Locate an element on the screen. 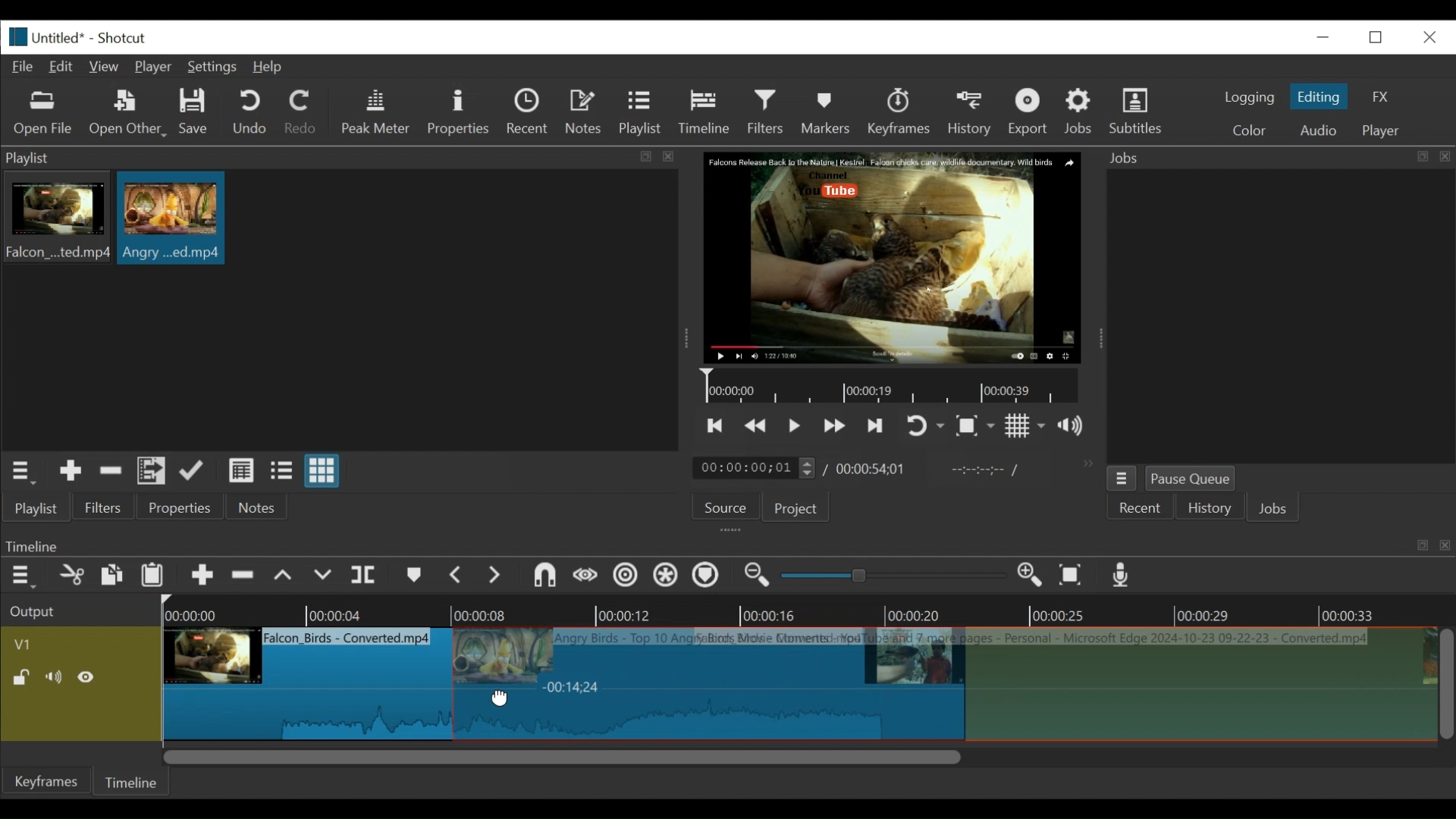 Image resolution: width=1456 pixels, height=819 pixels. Ripple  is located at coordinates (626, 577).